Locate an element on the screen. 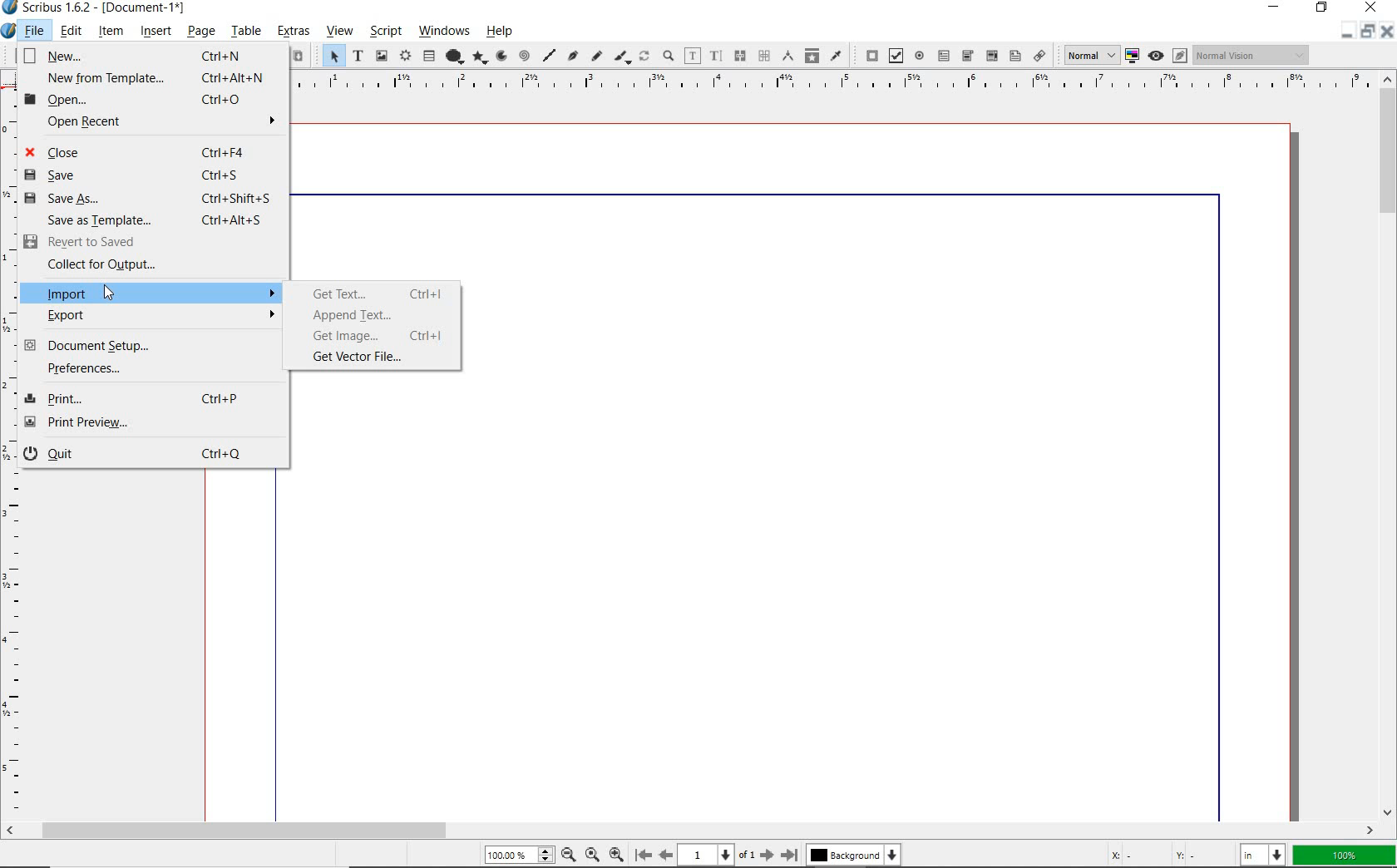  Zoom to 100% is located at coordinates (594, 855).